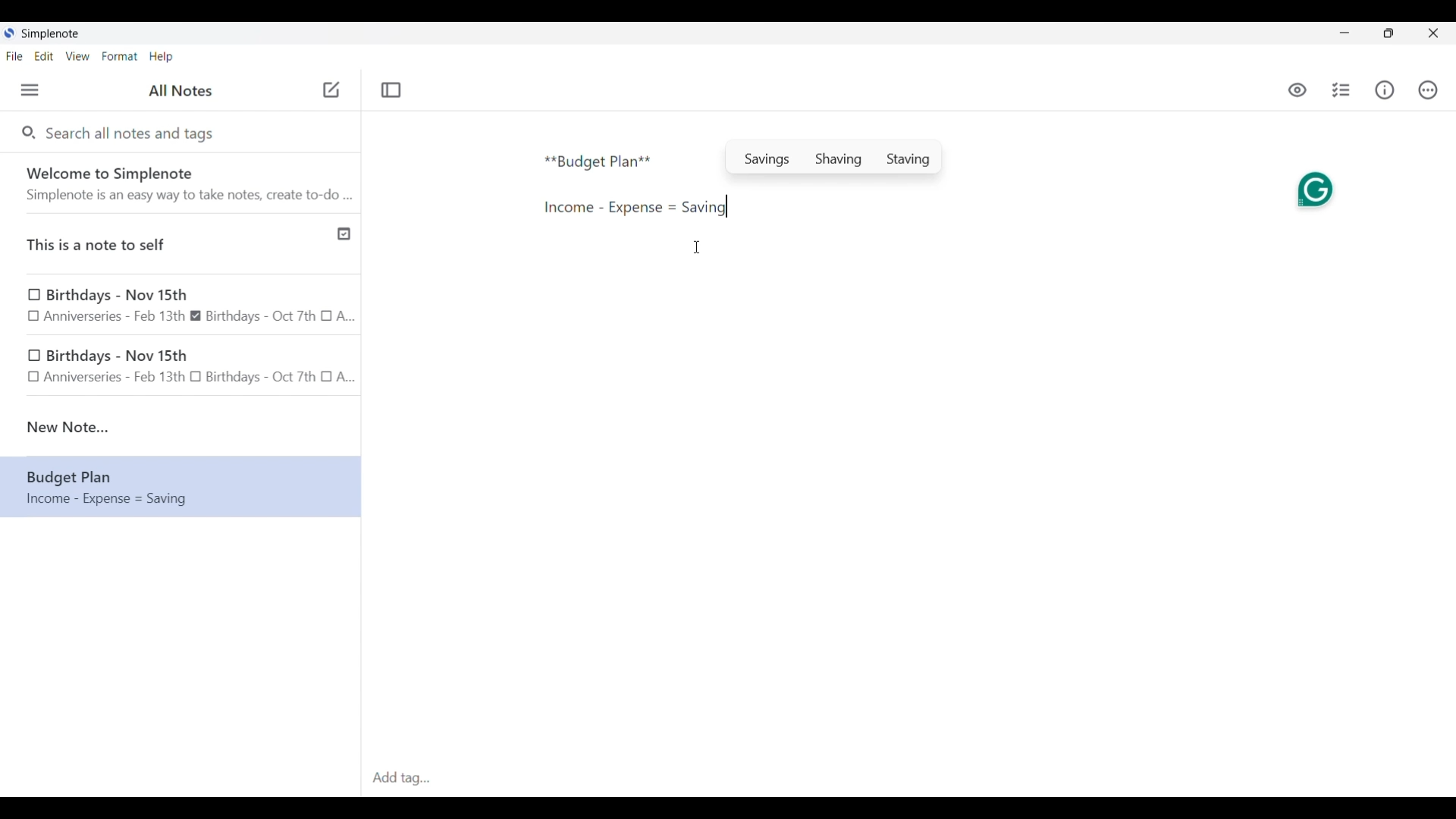  What do you see at coordinates (182, 244) in the screenshot?
I see `Published note indicated by check icon` at bounding box center [182, 244].